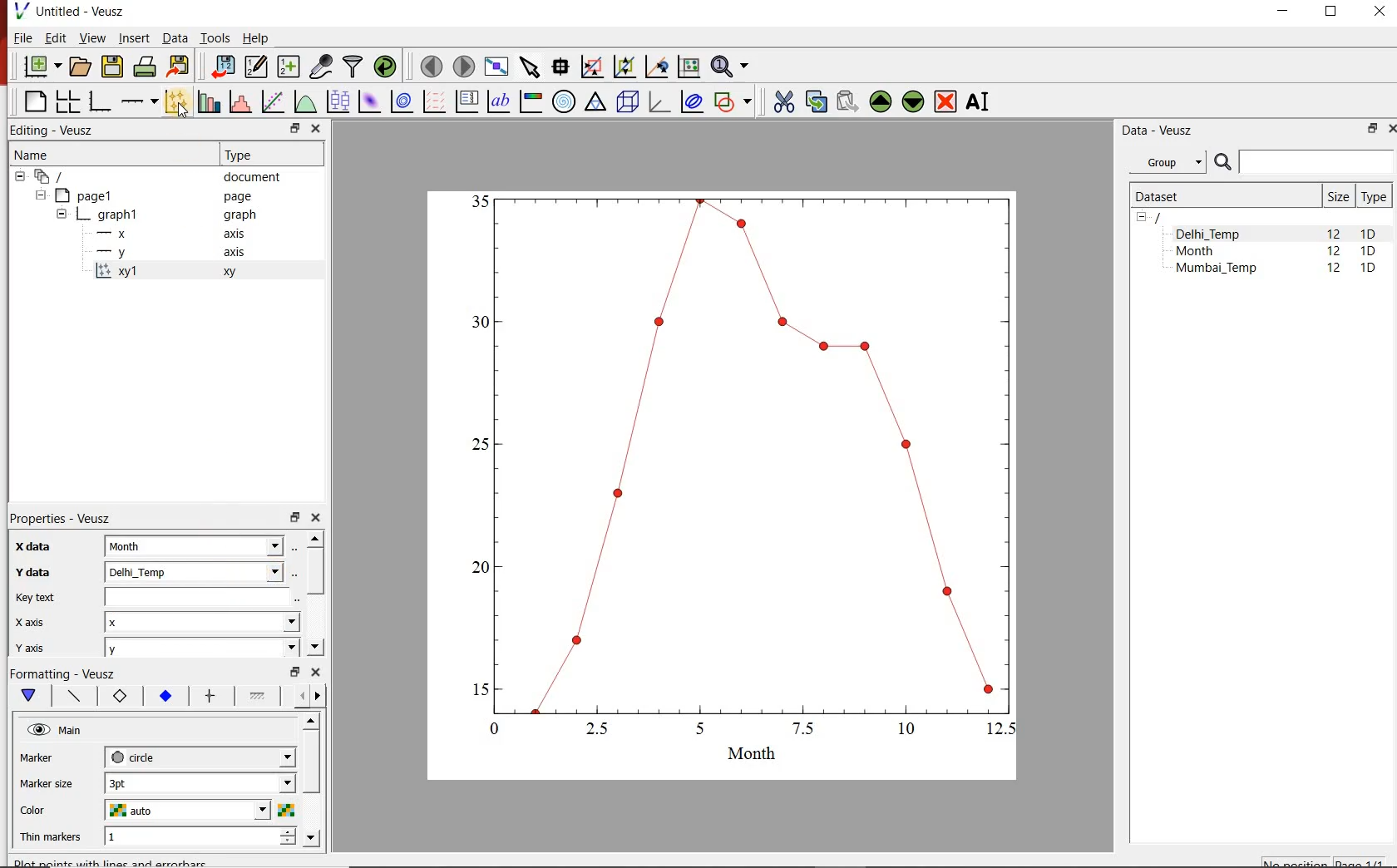 The width and height of the screenshot is (1397, 868). Describe the element at coordinates (175, 102) in the screenshot. I see `plot points with lines and errorbars` at that location.